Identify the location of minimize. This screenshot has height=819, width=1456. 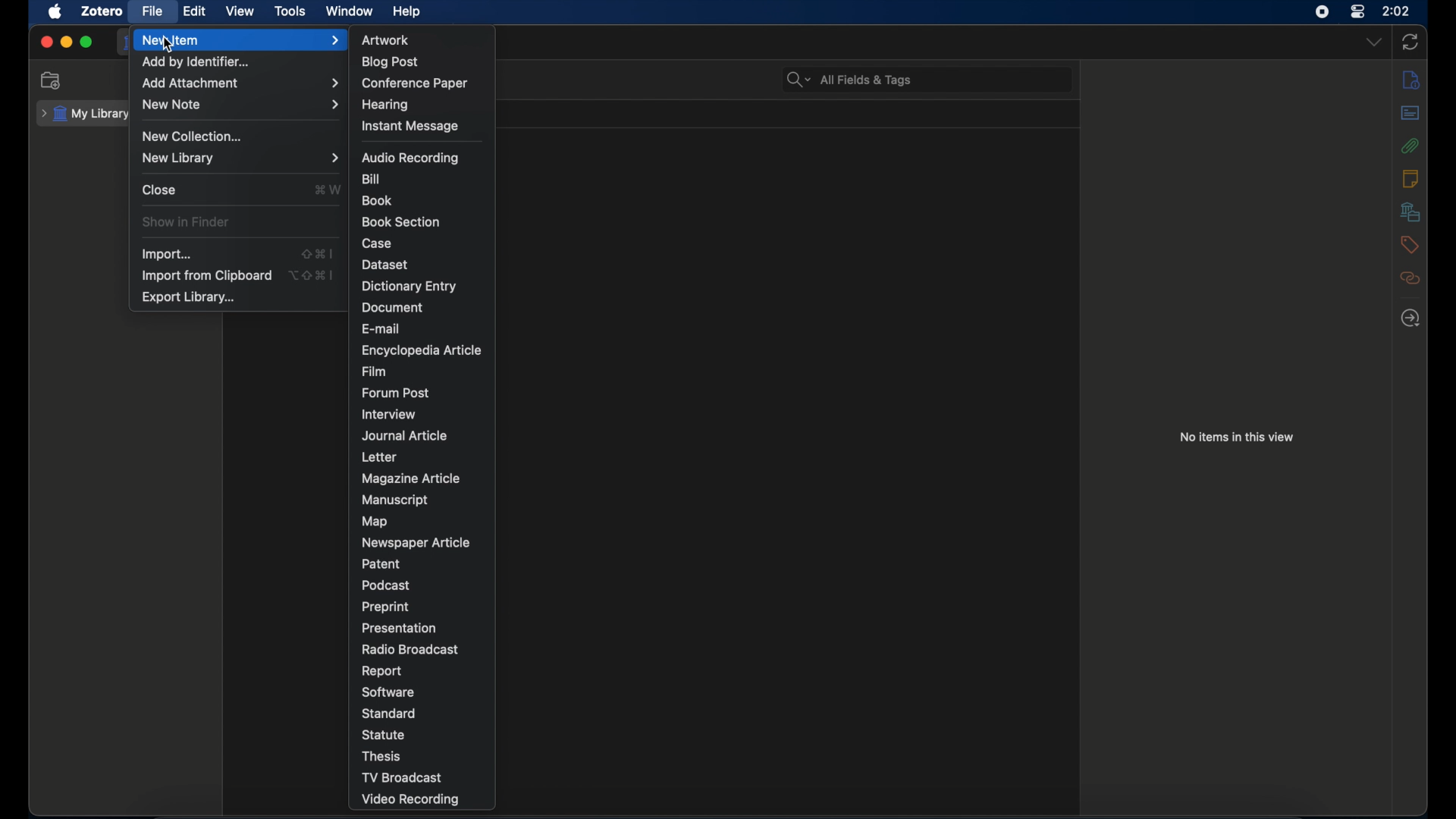
(67, 42).